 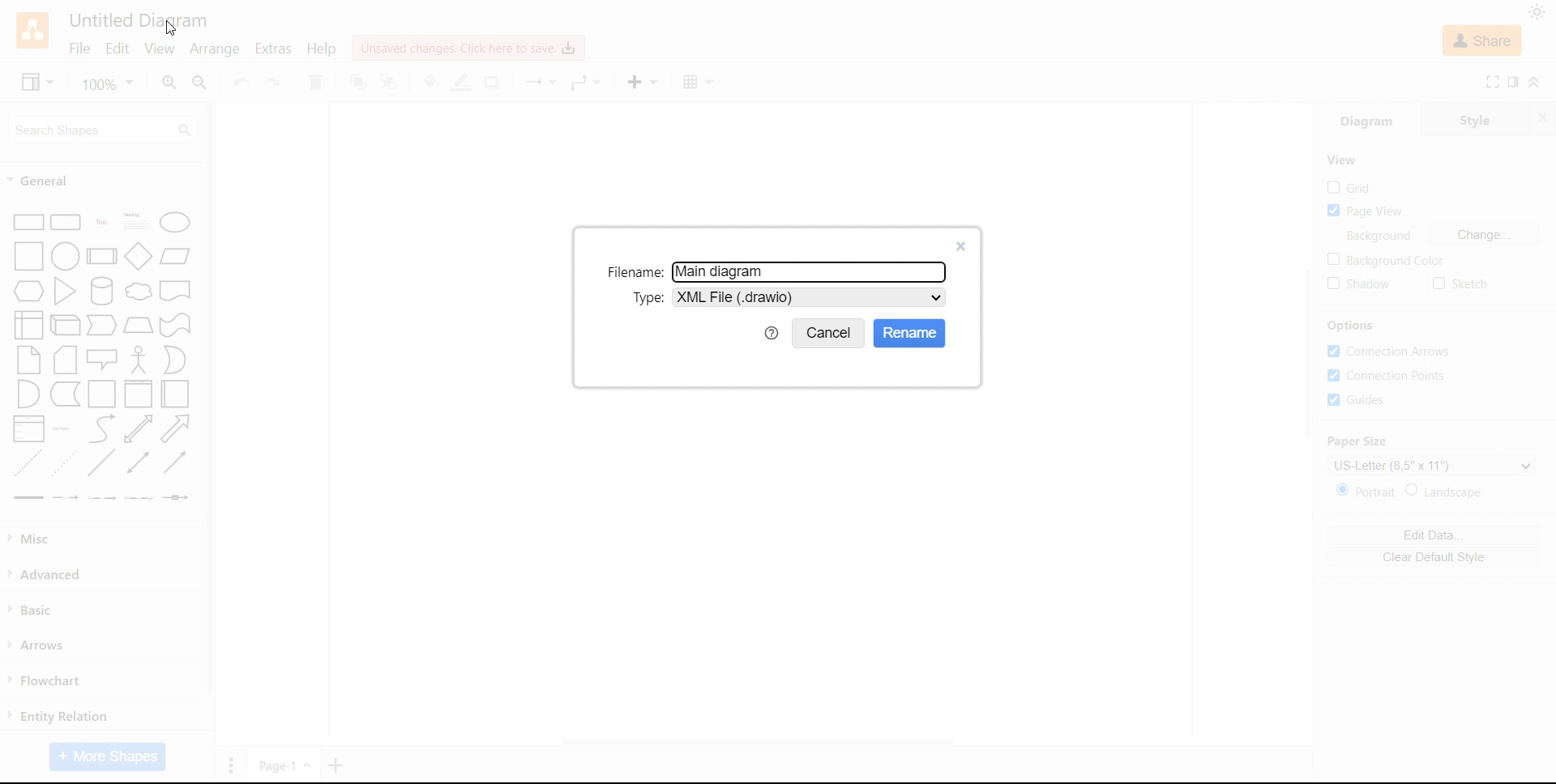 I want to click on connection points , so click(x=1390, y=377).